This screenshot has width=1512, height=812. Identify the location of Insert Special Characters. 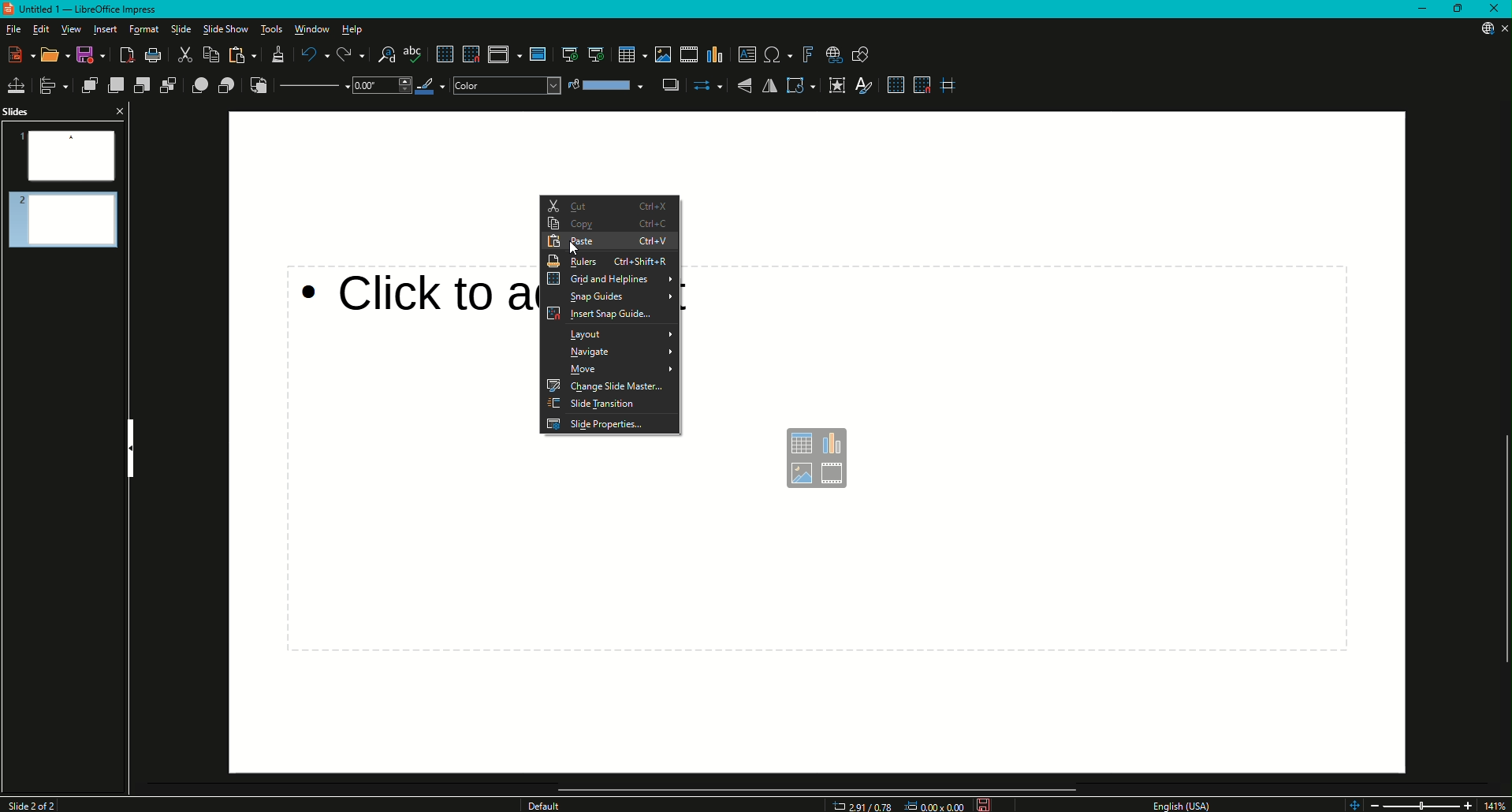
(774, 54).